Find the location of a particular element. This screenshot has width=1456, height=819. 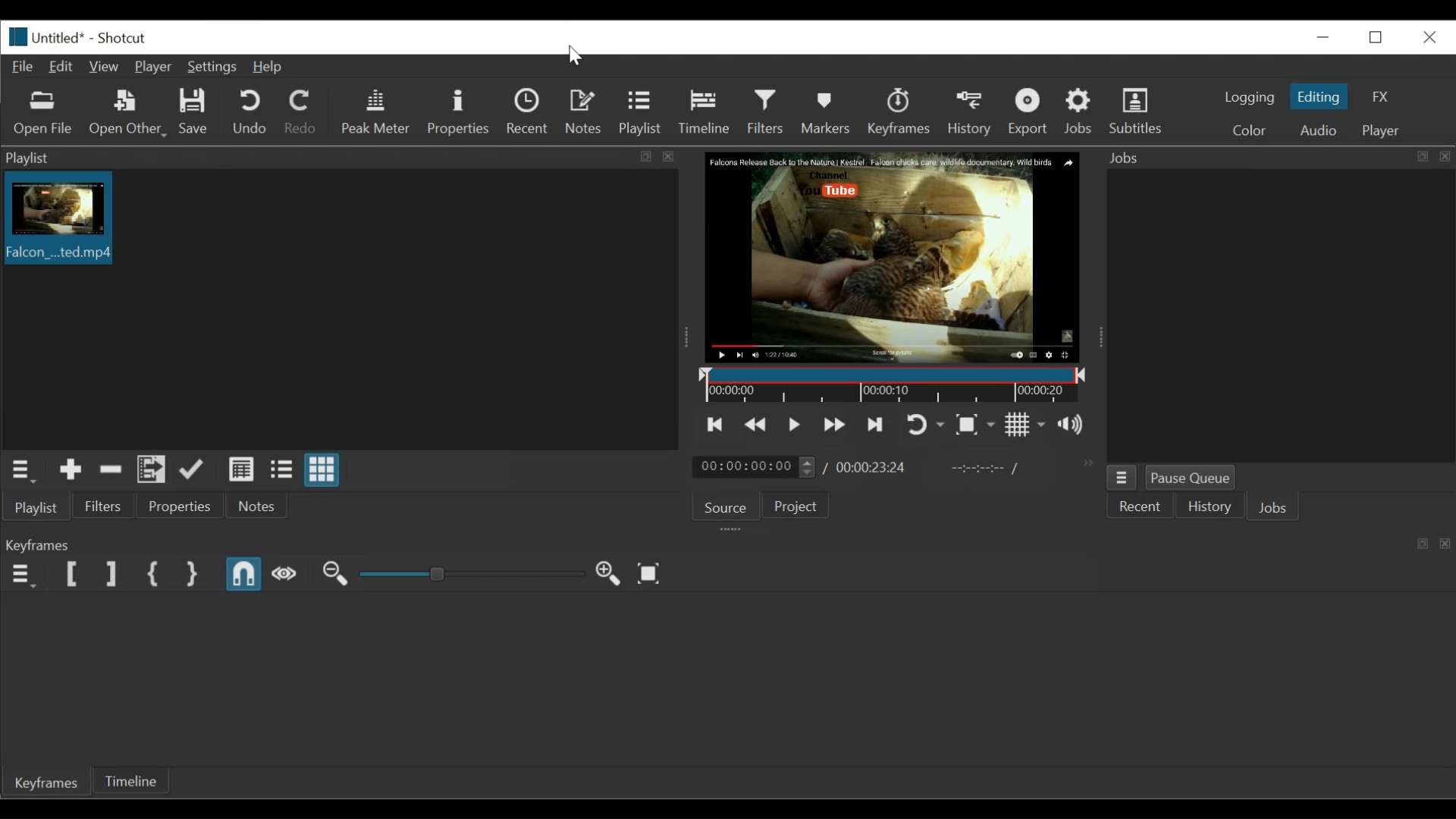

View as icons is located at coordinates (322, 469).